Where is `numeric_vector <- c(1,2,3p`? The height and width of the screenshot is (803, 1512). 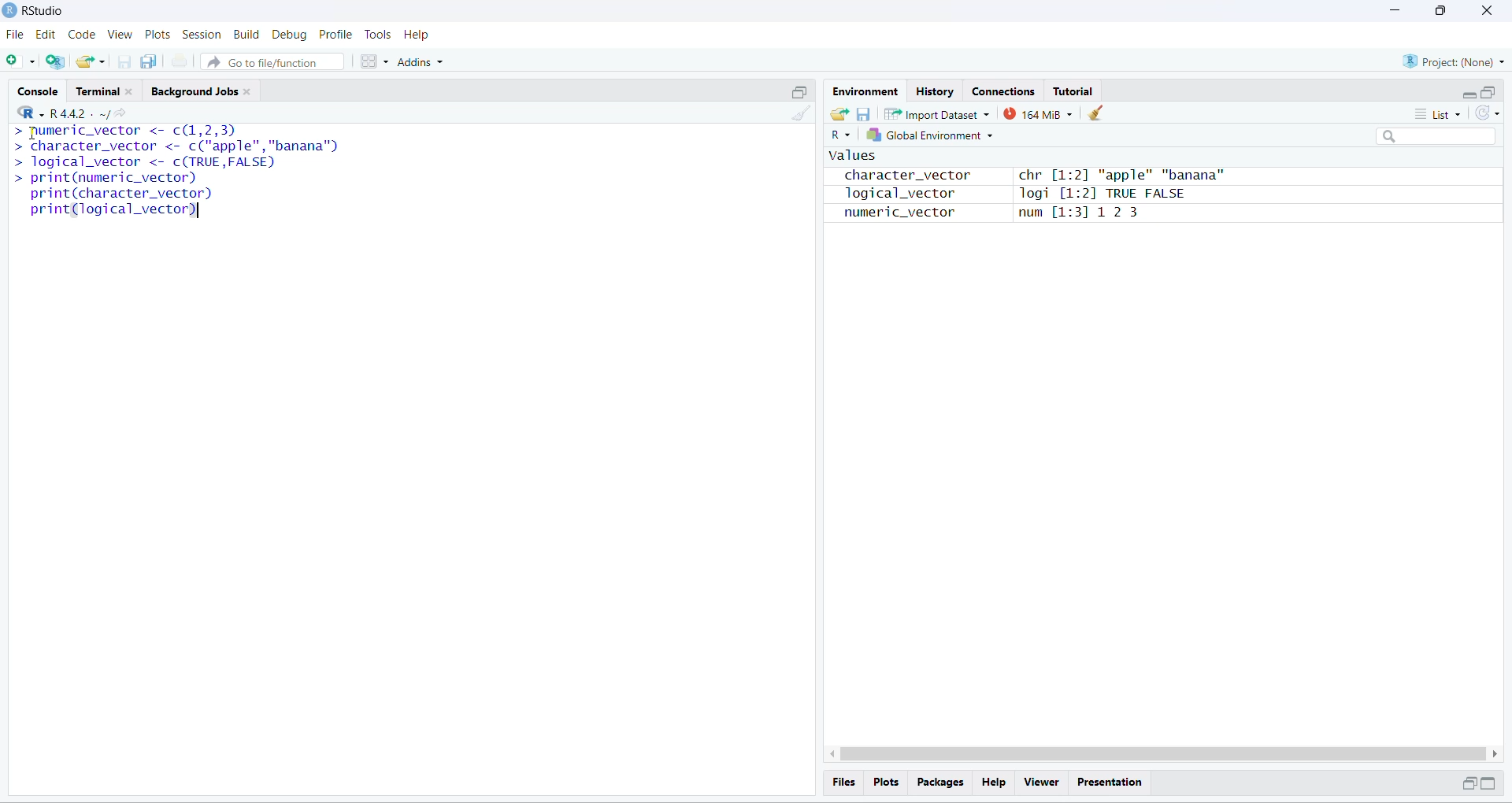 numeric_vector <- c(1,2,3p is located at coordinates (126, 131).